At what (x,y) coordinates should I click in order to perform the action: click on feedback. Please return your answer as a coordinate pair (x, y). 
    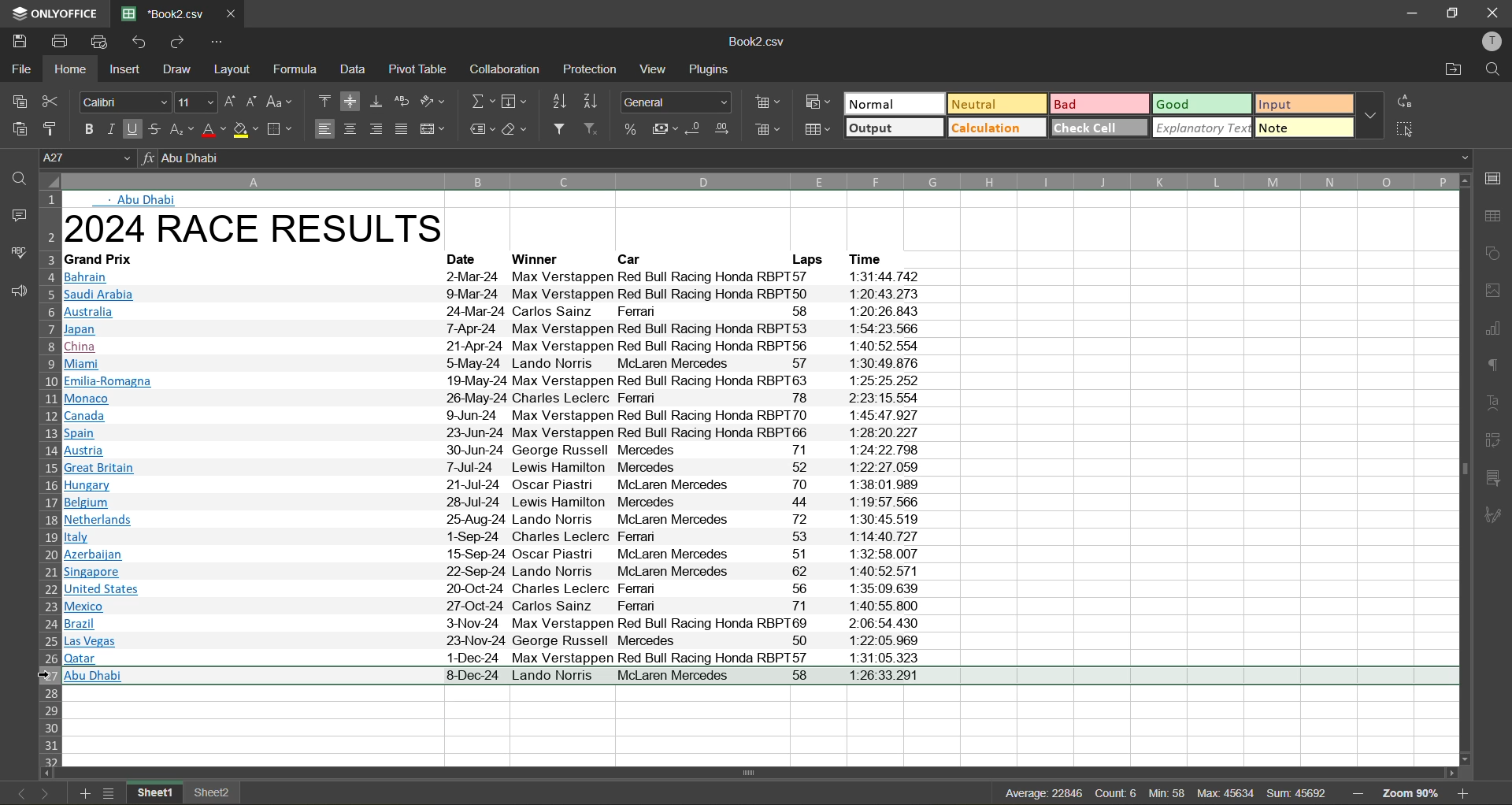
    Looking at the image, I should click on (16, 294).